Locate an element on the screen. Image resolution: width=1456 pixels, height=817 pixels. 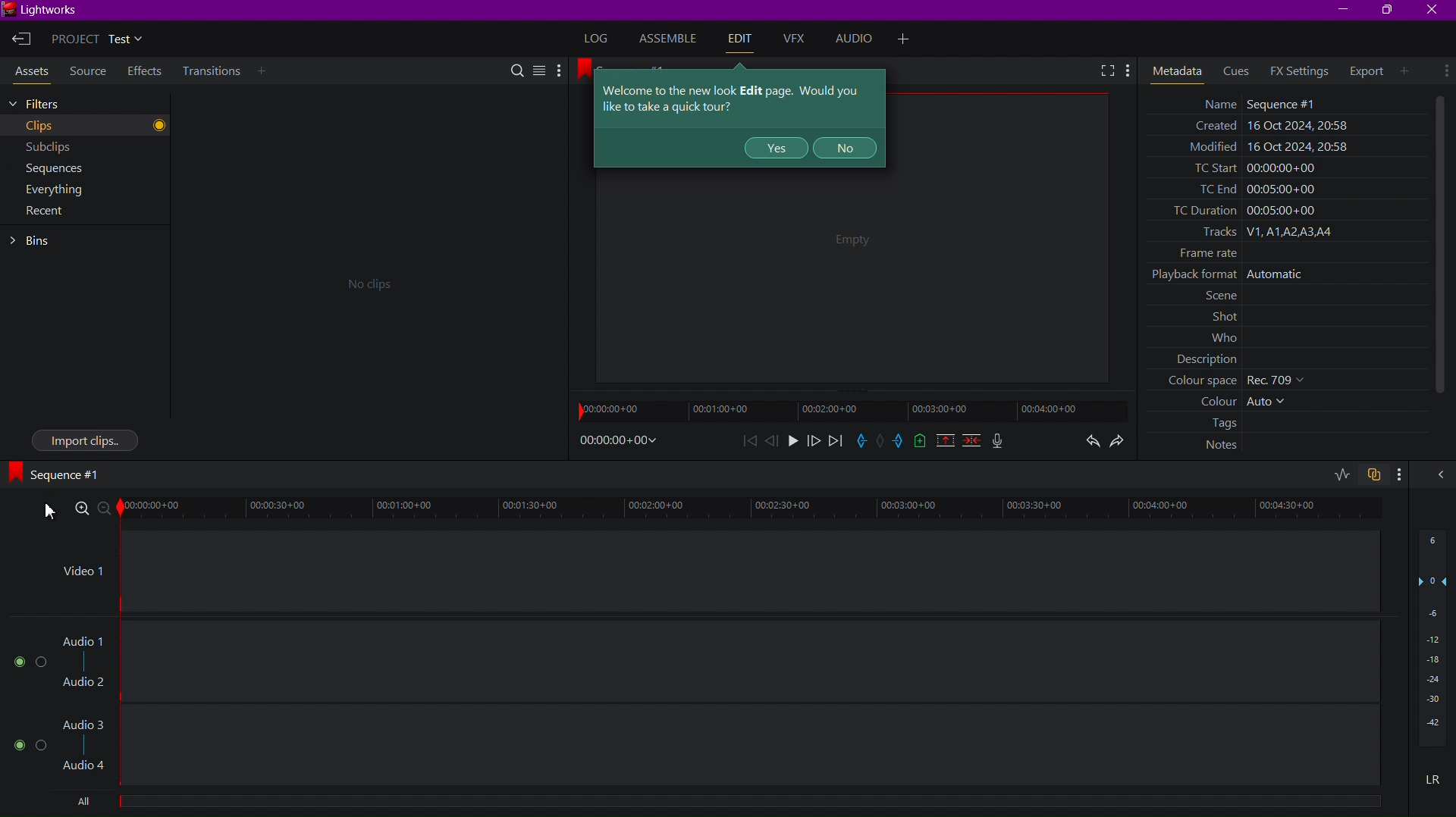
Transitions is located at coordinates (216, 69).